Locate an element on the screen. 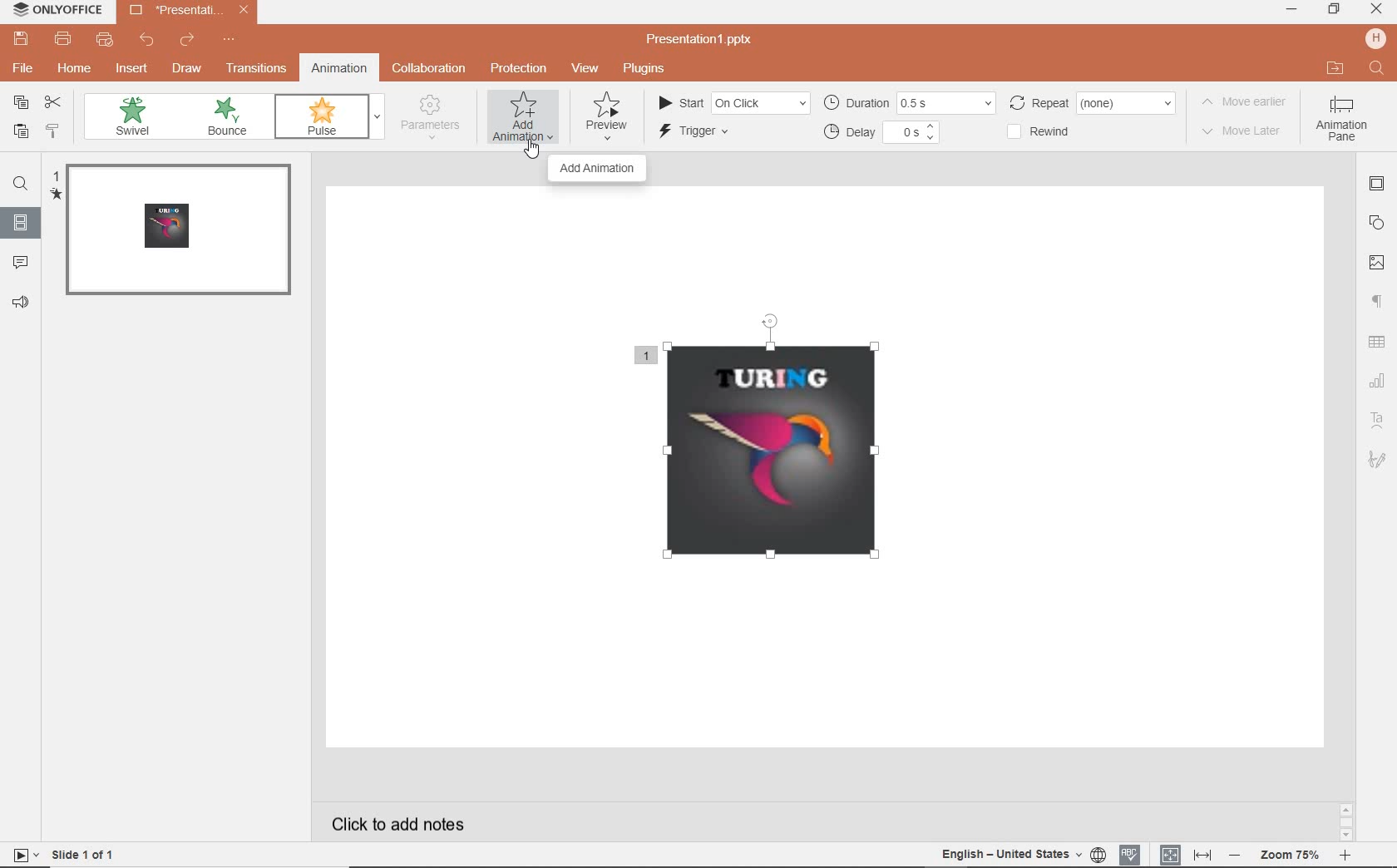 The width and height of the screenshot is (1397, 868). draw is located at coordinates (190, 70).